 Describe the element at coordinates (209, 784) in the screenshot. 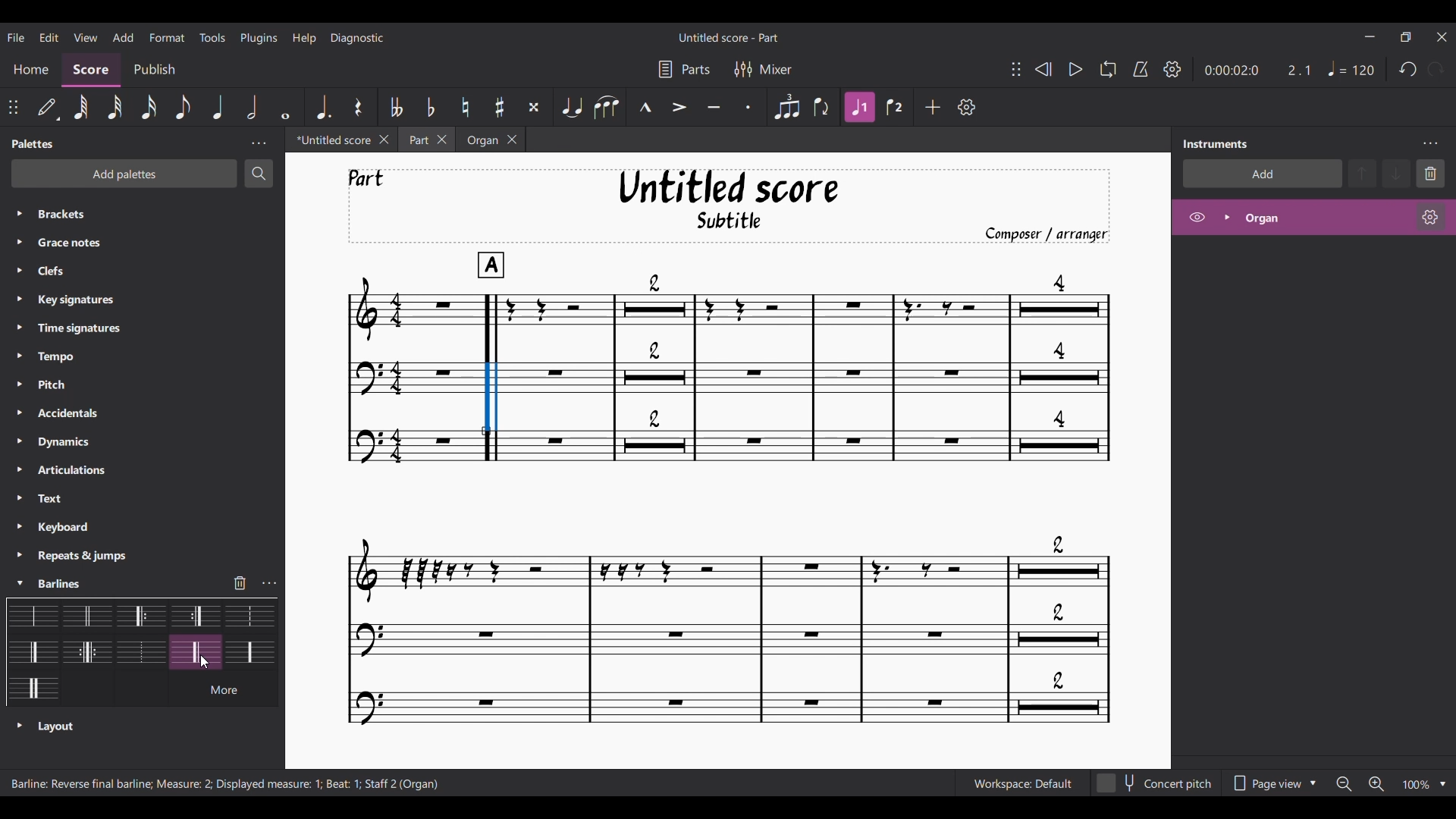

I see `Description of current selection` at that location.